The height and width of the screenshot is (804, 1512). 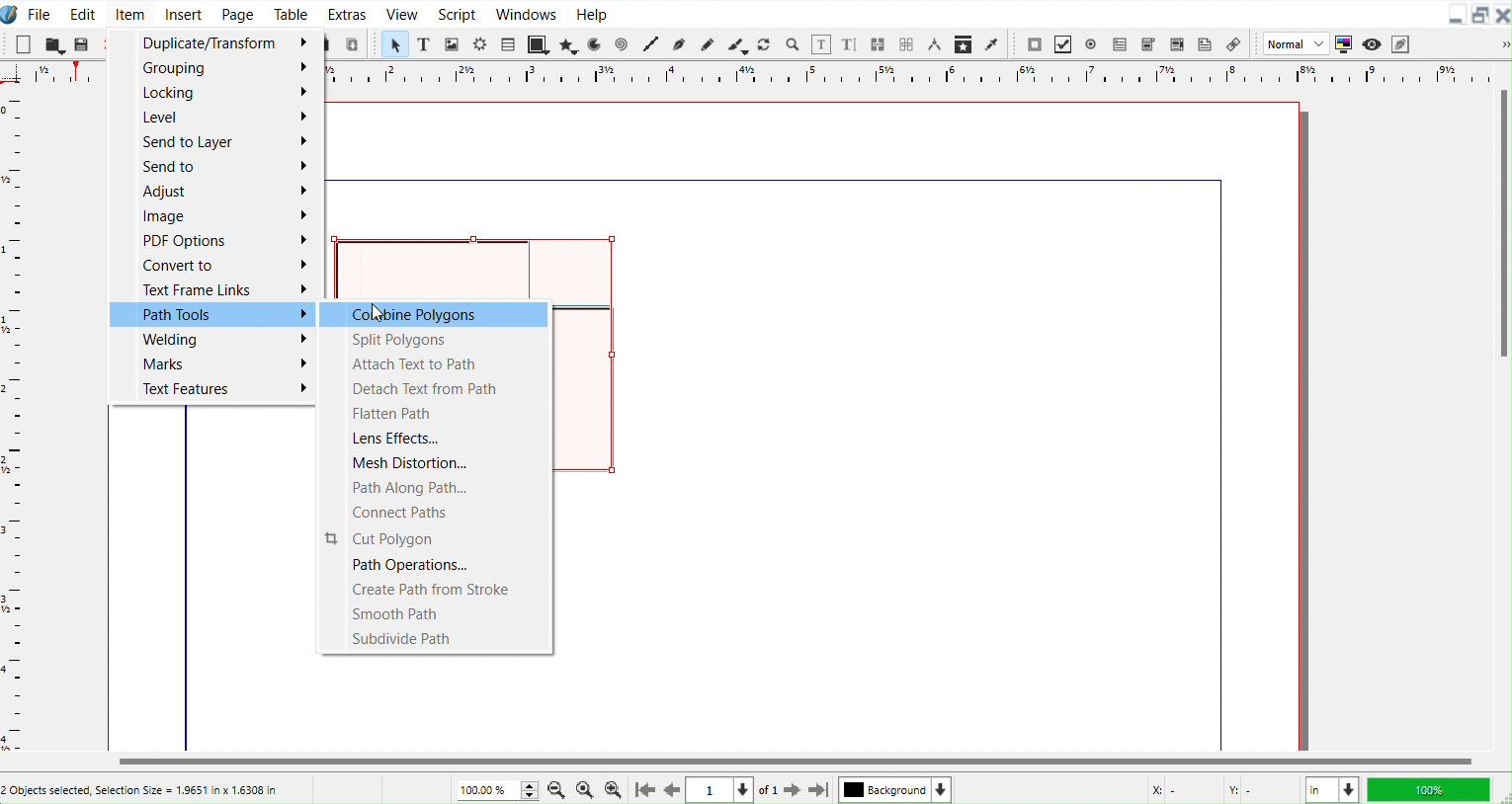 I want to click on Go to last Page, so click(x=820, y=792).